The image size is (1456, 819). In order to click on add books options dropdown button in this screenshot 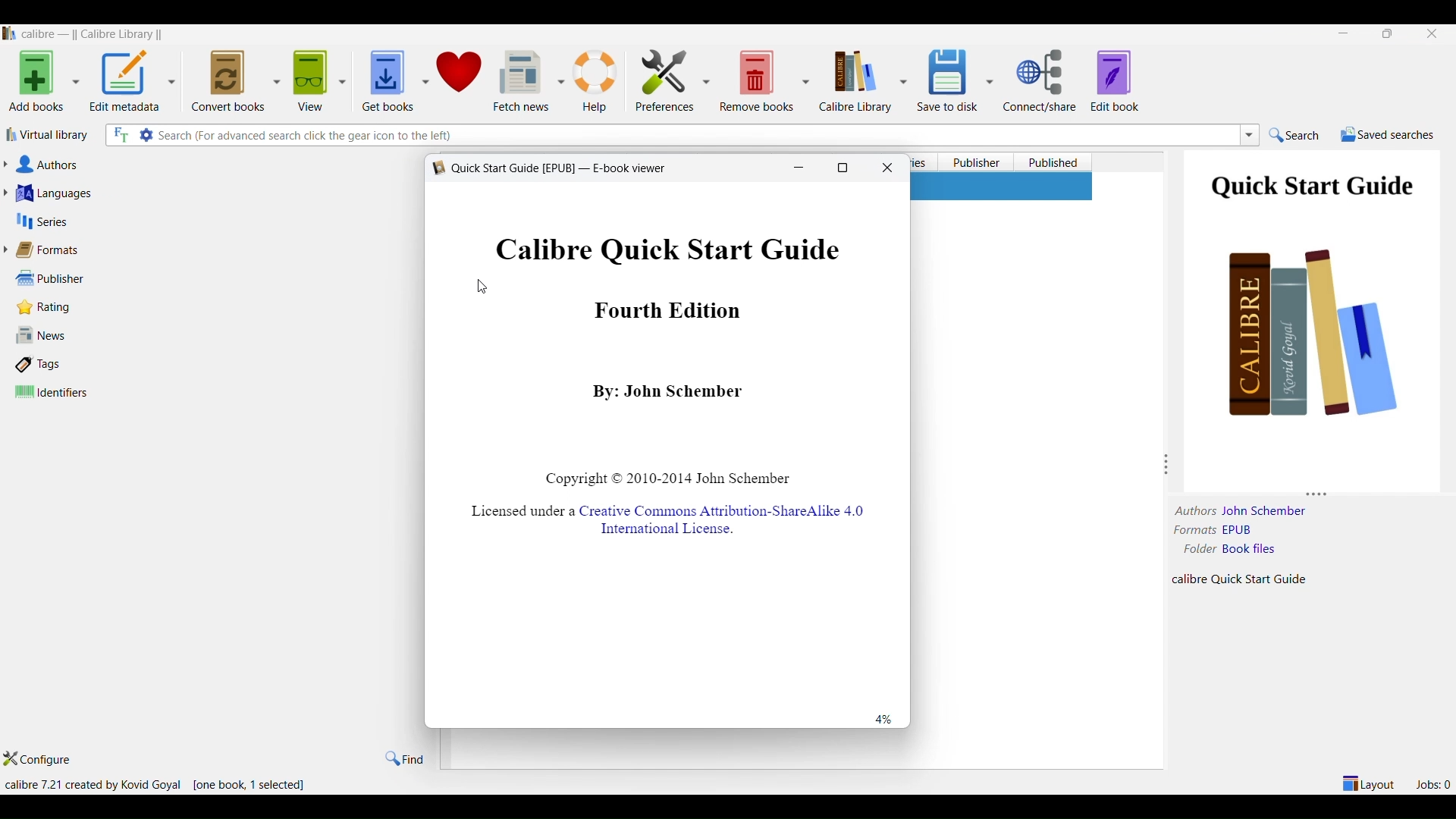, I will do `click(75, 83)`.